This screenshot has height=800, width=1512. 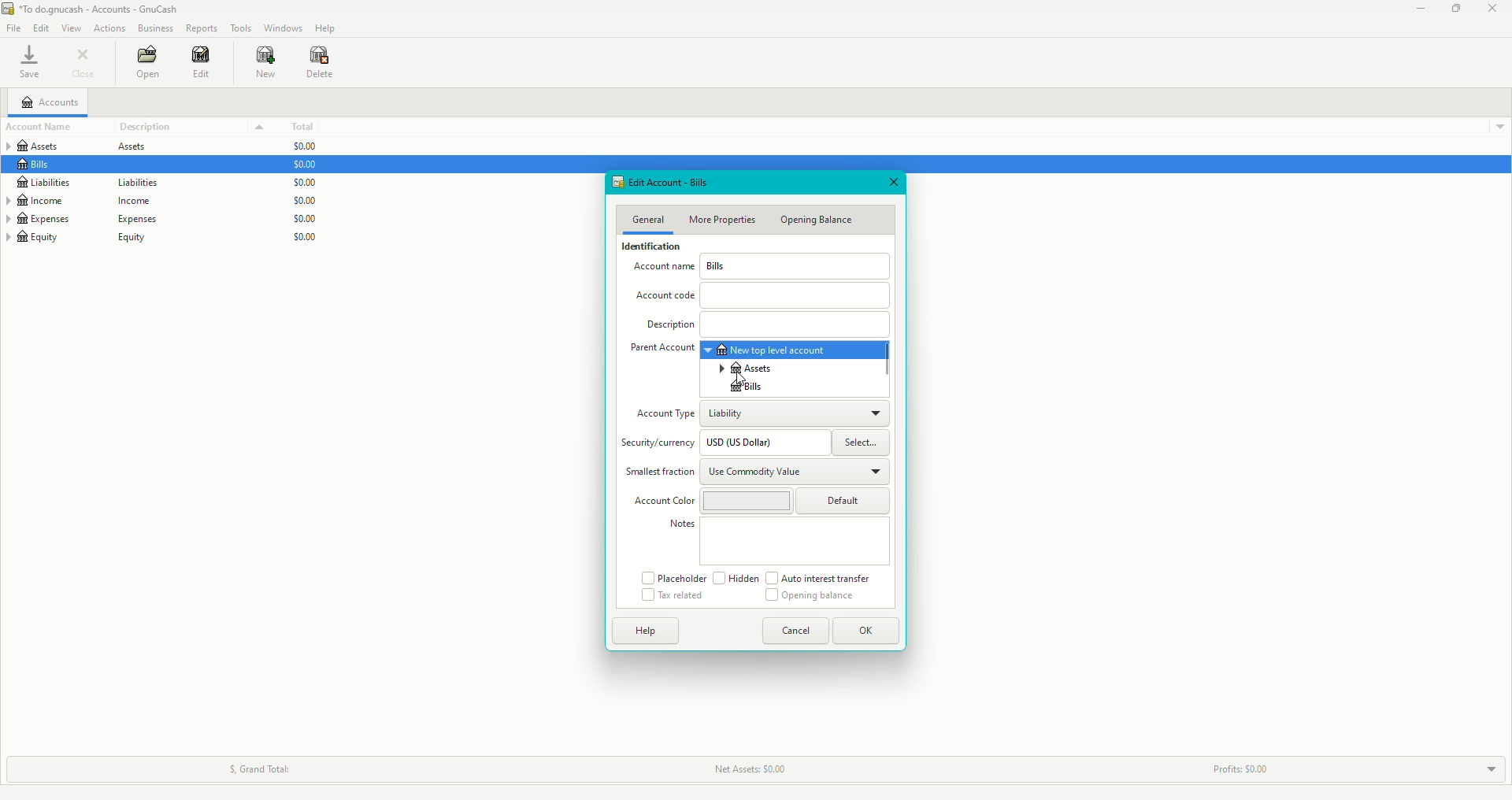 I want to click on Reports, so click(x=202, y=28).